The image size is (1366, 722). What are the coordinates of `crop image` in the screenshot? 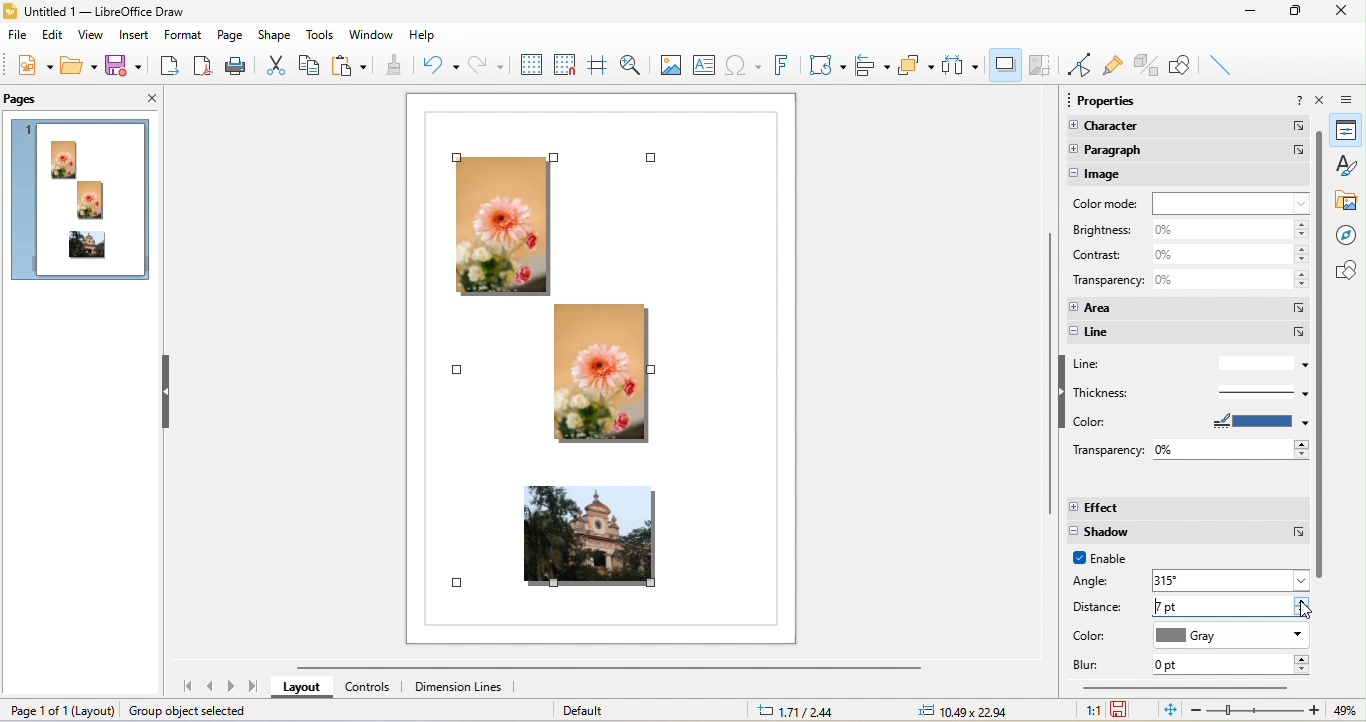 It's located at (1039, 66).